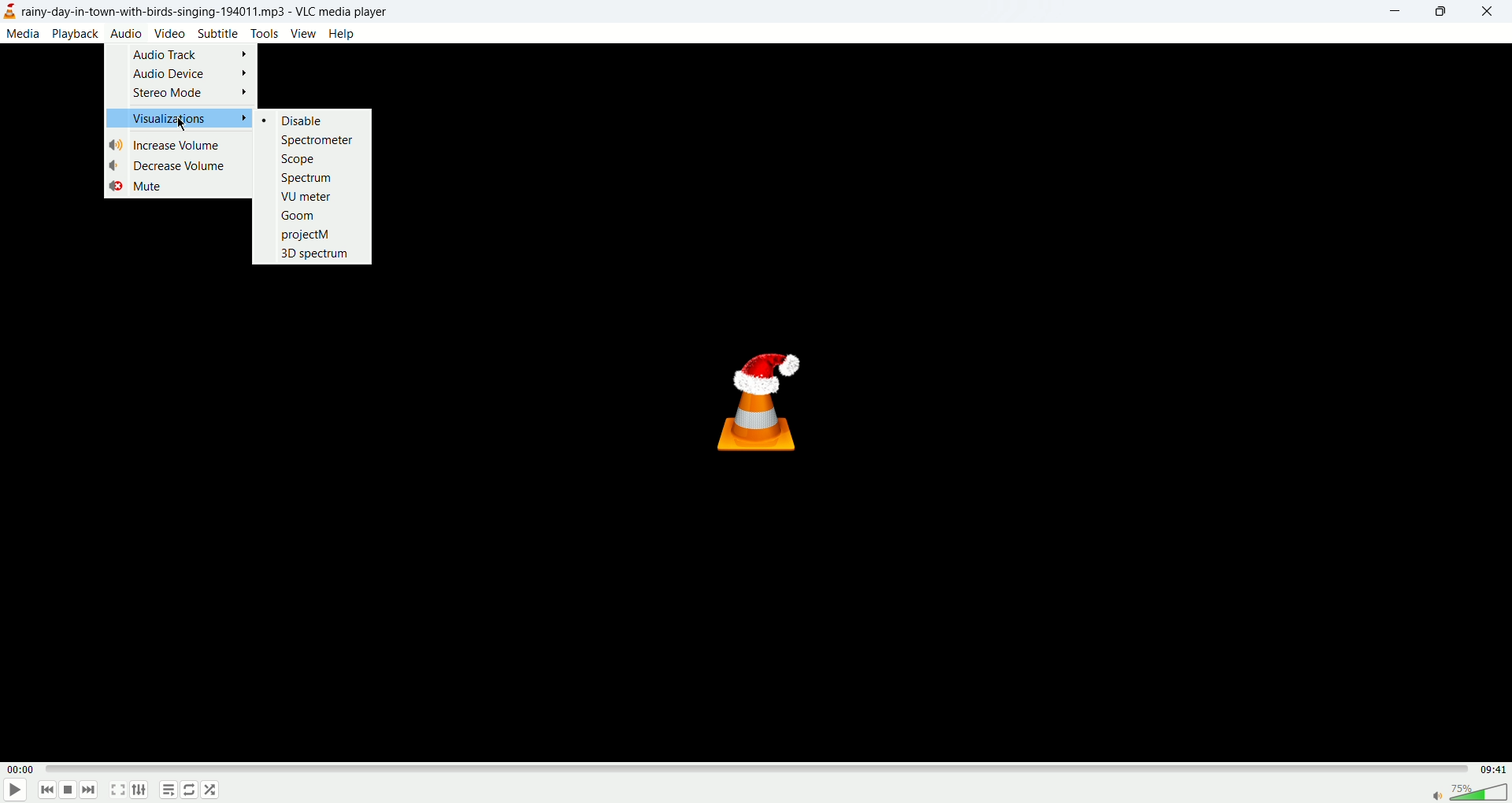 The height and width of the screenshot is (803, 1512). What do you see at coordinates (20, 768) in the screenshot?
I see `played time` at bounding box center [20, 768].